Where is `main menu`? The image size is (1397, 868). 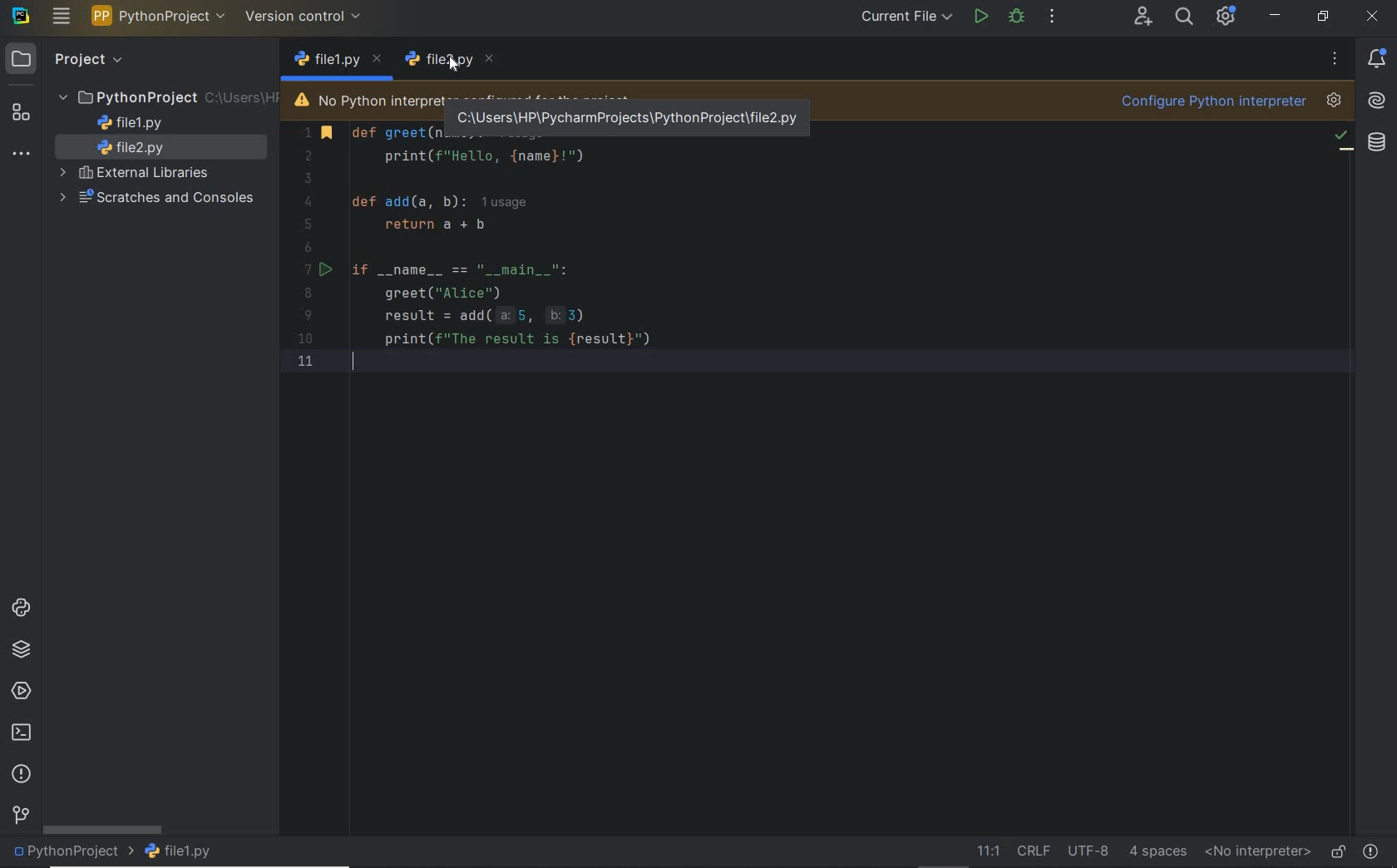 main menu is located at coordinates (62, 18).